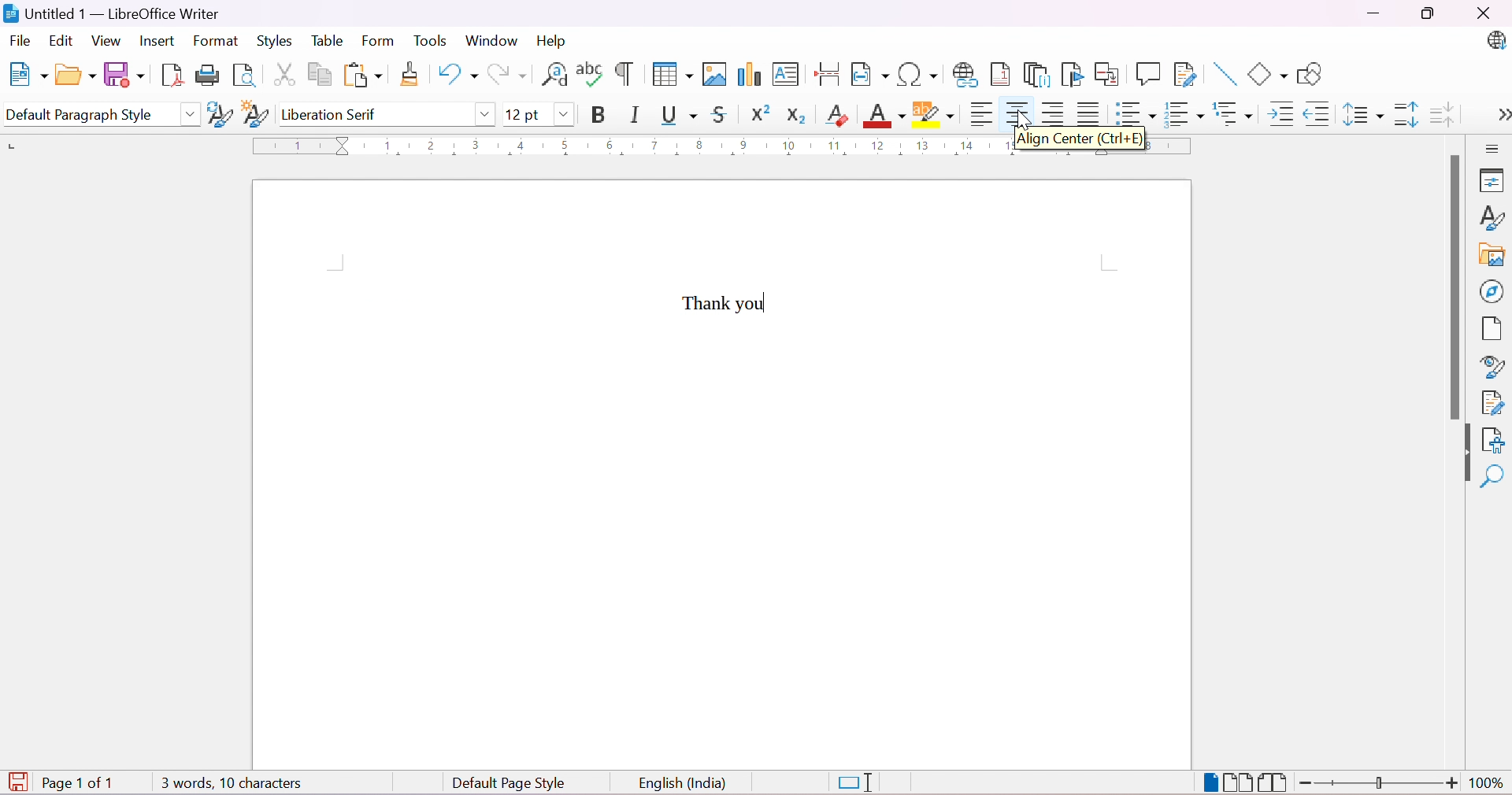 The width and height of the screenshot is (1512, 795). Describe the element at coordinates (1015, 113) in the screenshot. I see `Align Center` at that location.